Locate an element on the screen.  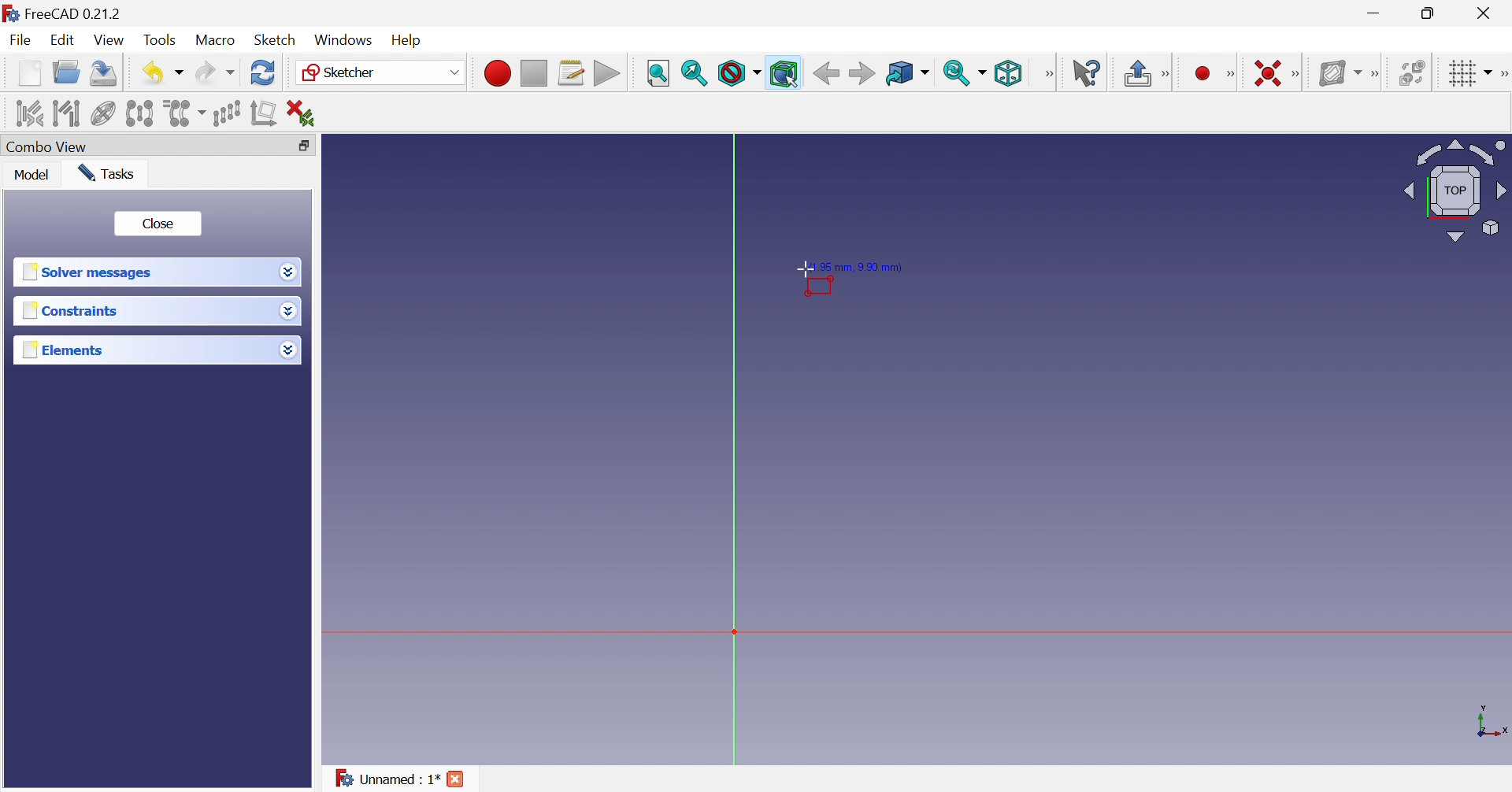
Edit is located at coordinates (62, 41).